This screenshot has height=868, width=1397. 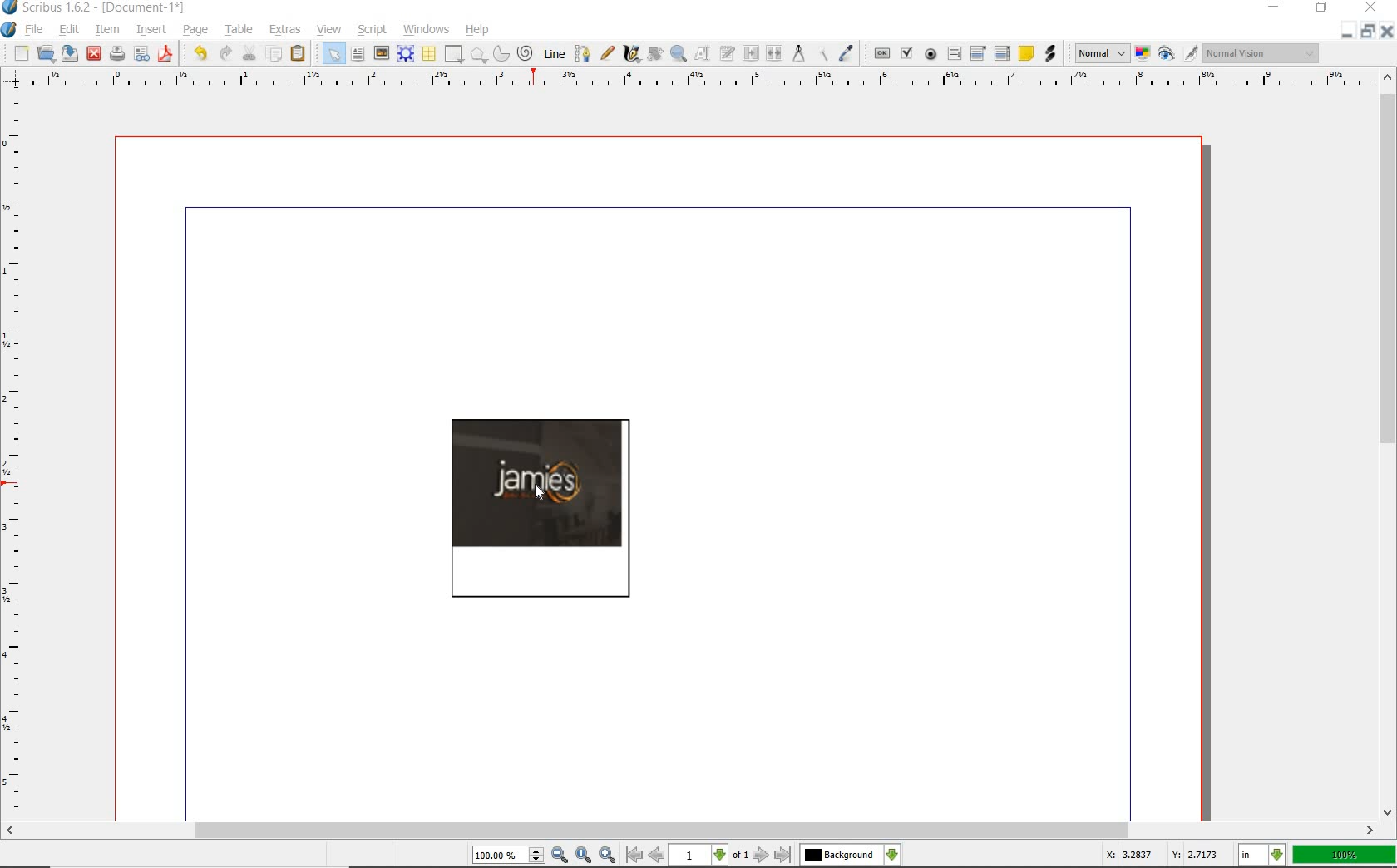 What do you see at coordinates (22, 55) in the screenshot?
I see `new` at bounding box center [22, 55].